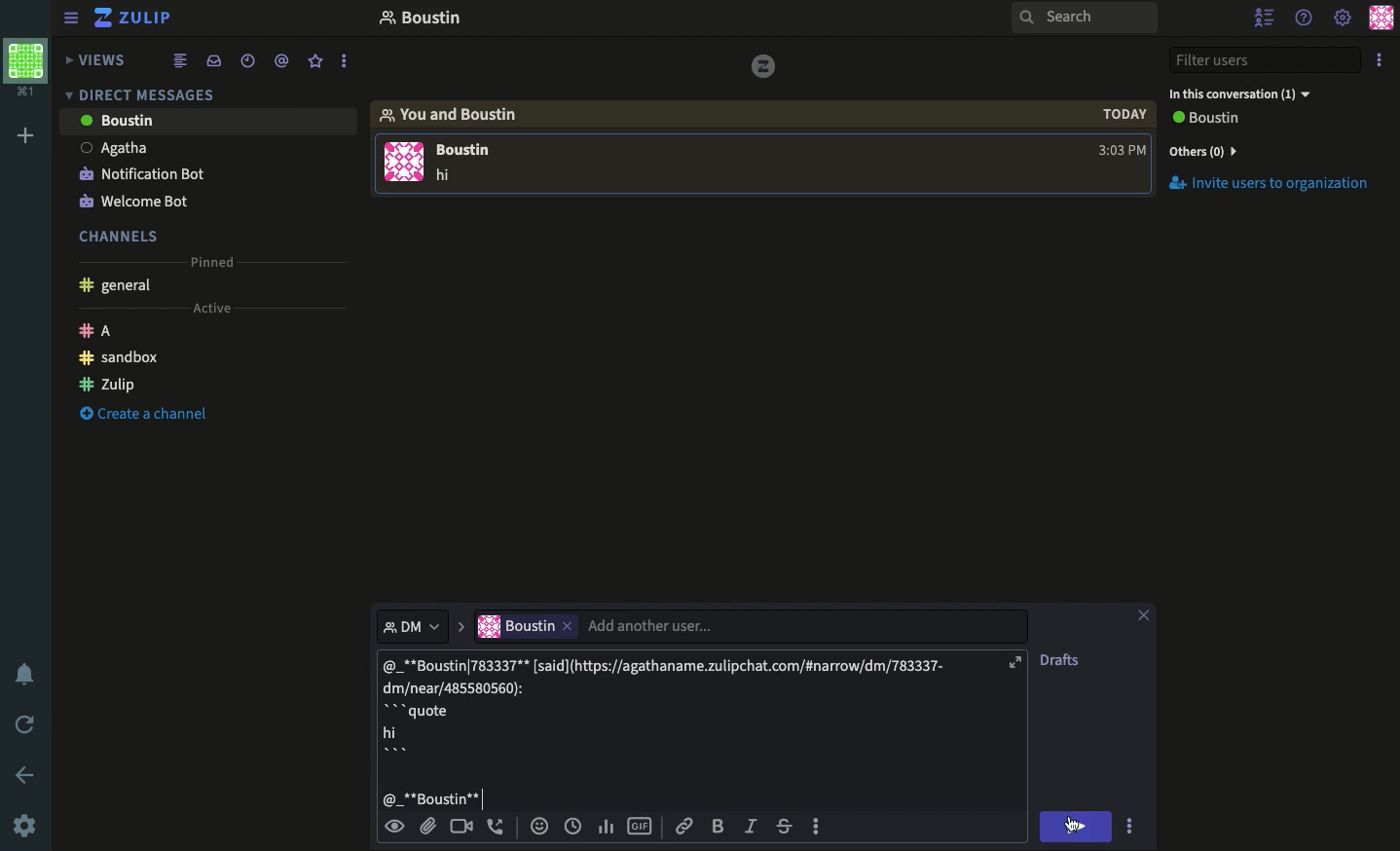 The width and height of the screenshot is (1400, 851). Describe the element at coordinates (1122, 132) in the screenshot. I see `Time` at that location.